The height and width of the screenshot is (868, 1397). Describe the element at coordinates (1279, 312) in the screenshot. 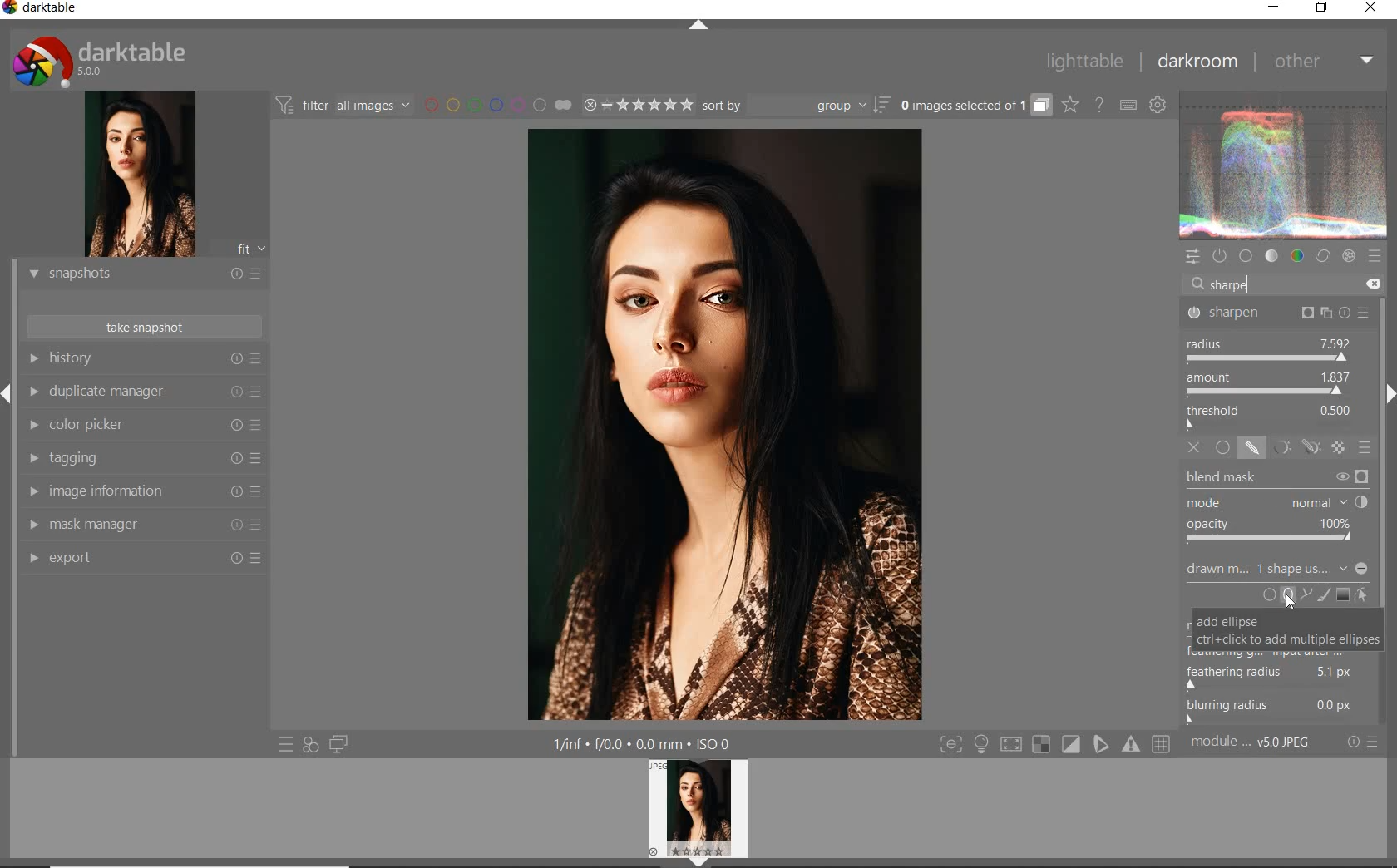

I see `SHARPEN` at that location.